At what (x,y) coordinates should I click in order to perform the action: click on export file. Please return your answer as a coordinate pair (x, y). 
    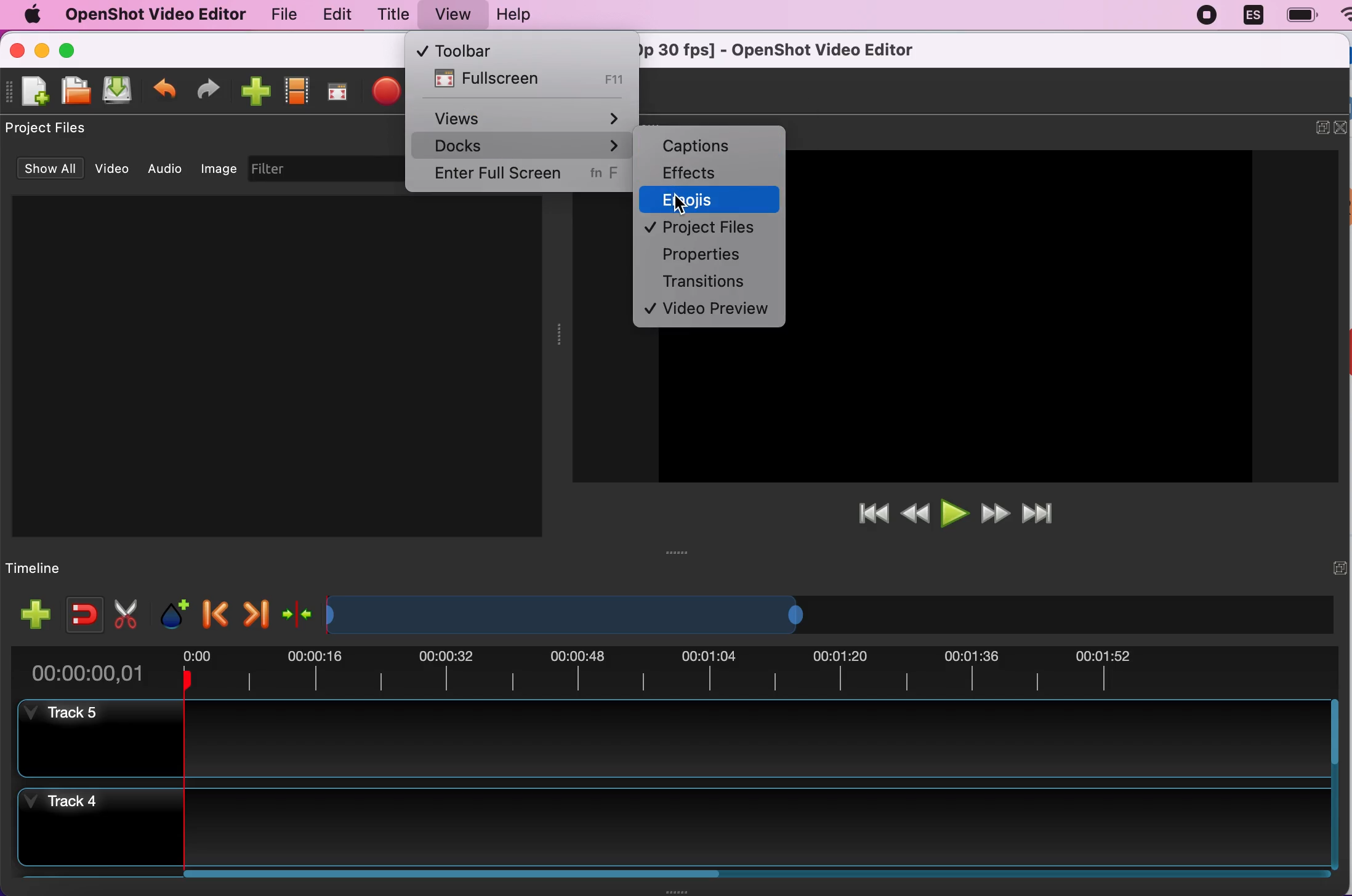
    Looking at the image, I should click on (387, 92).